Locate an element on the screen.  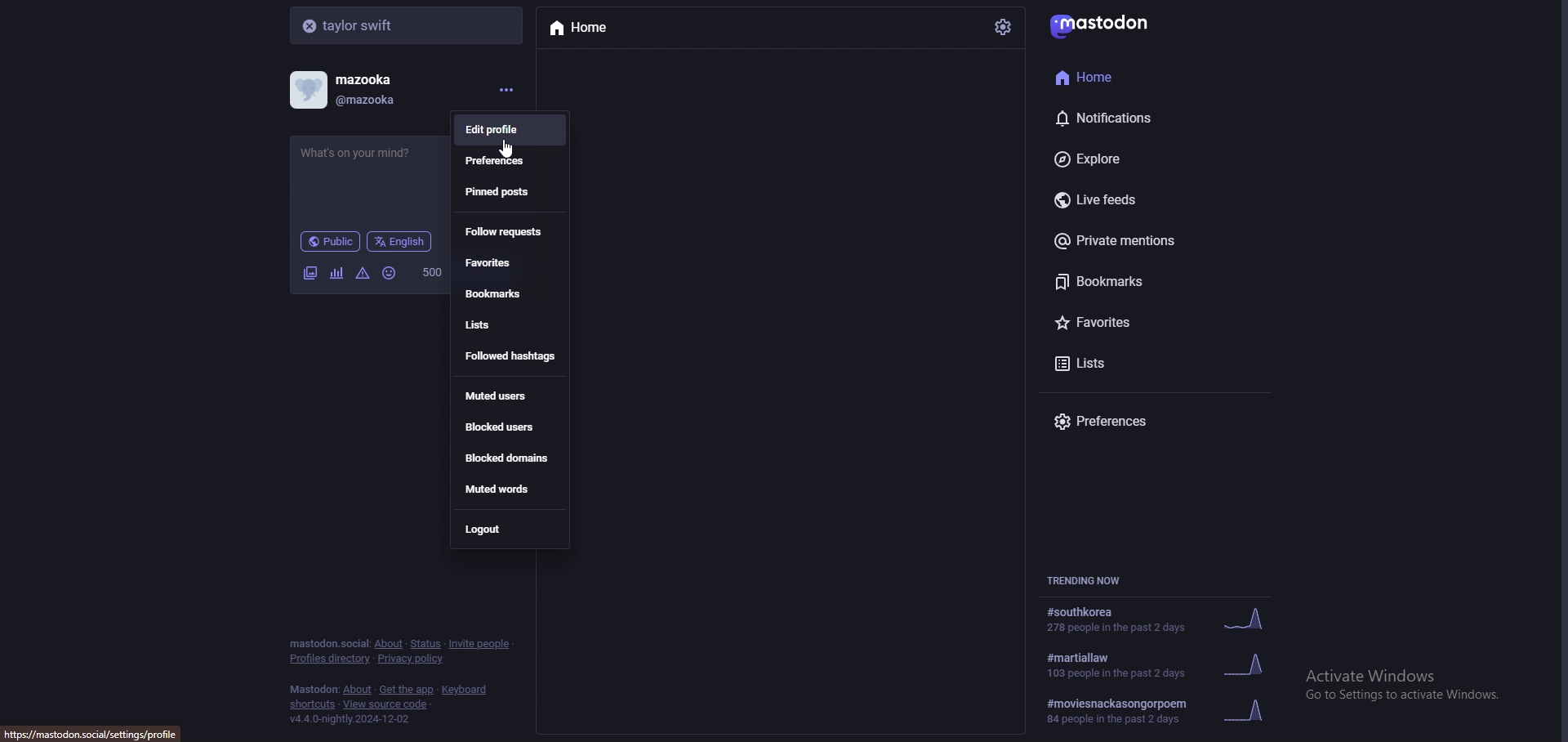
privacy policy is located at coordinates (412, 659).